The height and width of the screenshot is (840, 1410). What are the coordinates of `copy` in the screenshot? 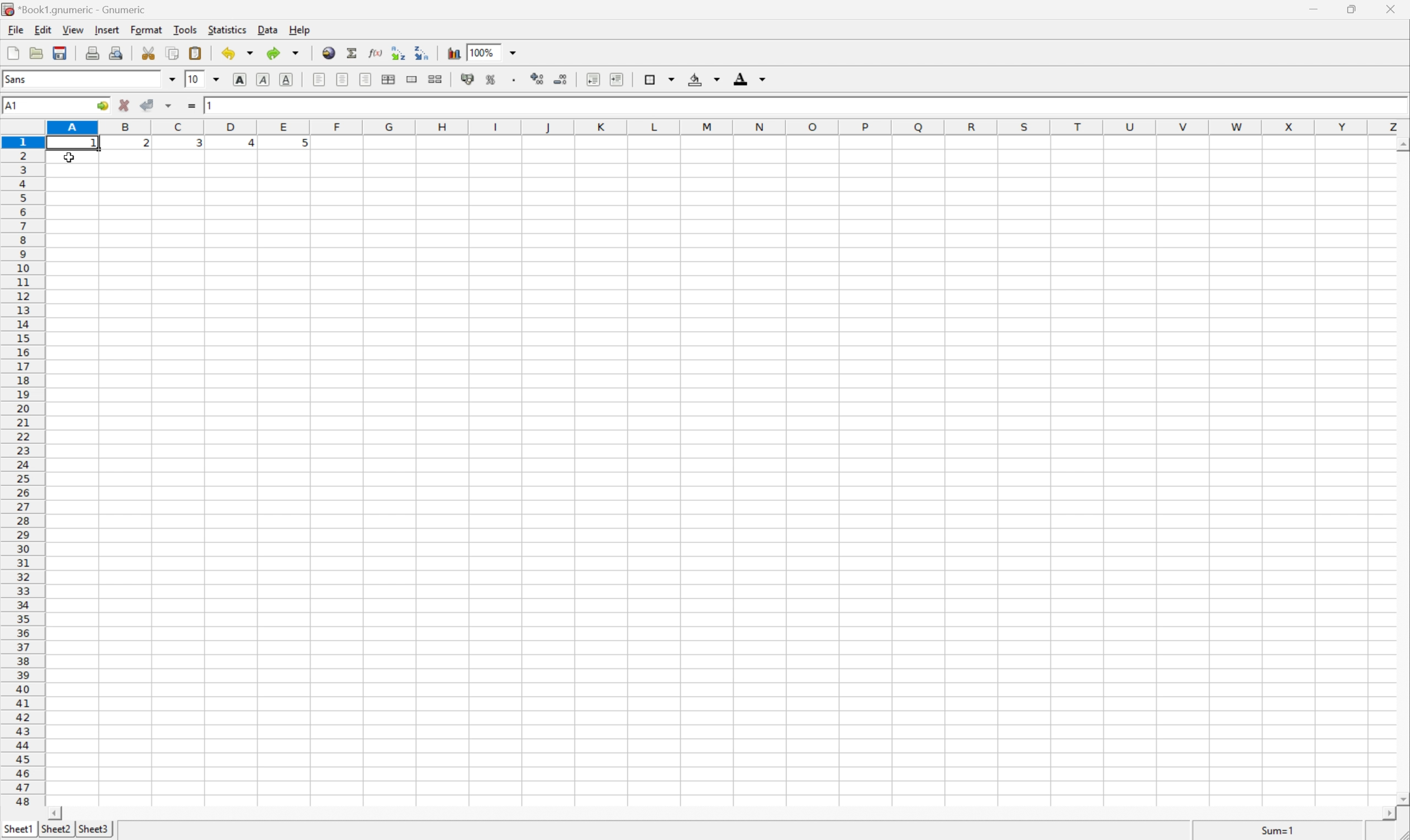 It's located at (174, 52).